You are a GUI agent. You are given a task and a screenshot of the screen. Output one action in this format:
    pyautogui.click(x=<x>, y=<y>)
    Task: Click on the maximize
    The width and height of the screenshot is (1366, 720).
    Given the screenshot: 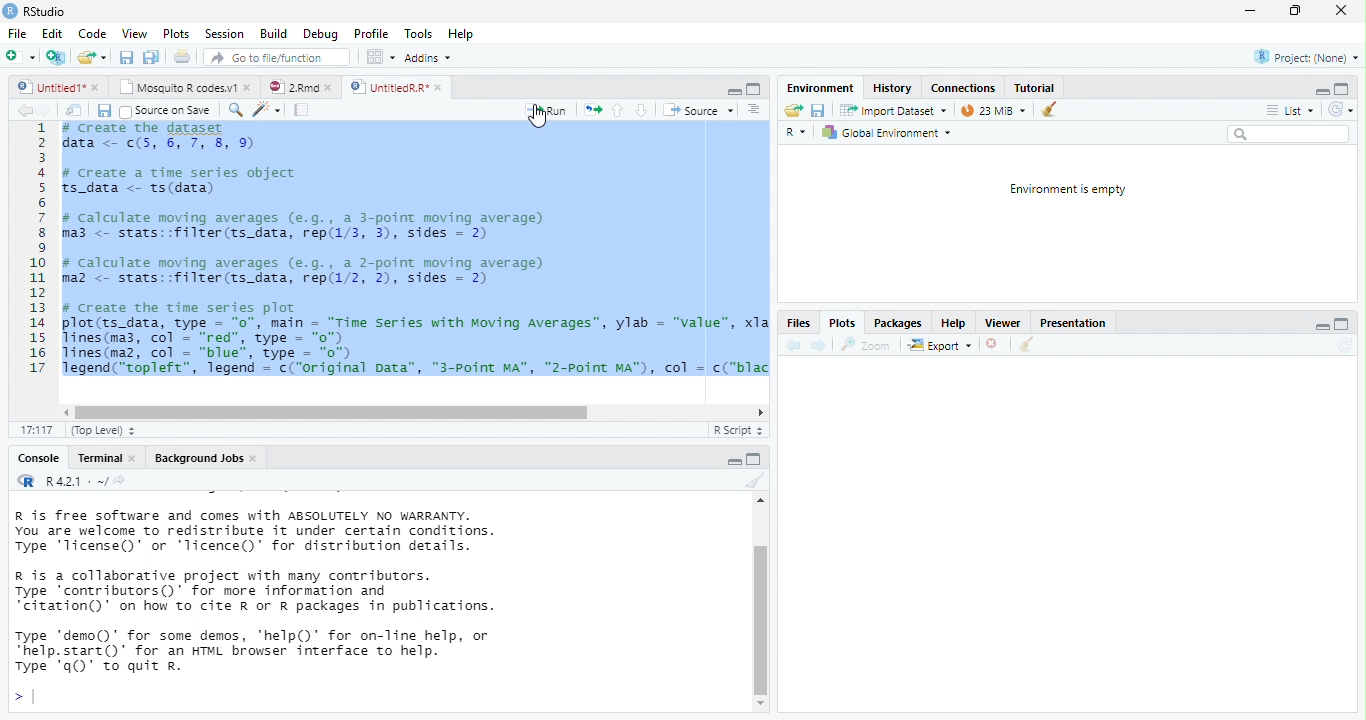 What is the action you would take?
    pyautogui.click(x=1295, y=11)
    